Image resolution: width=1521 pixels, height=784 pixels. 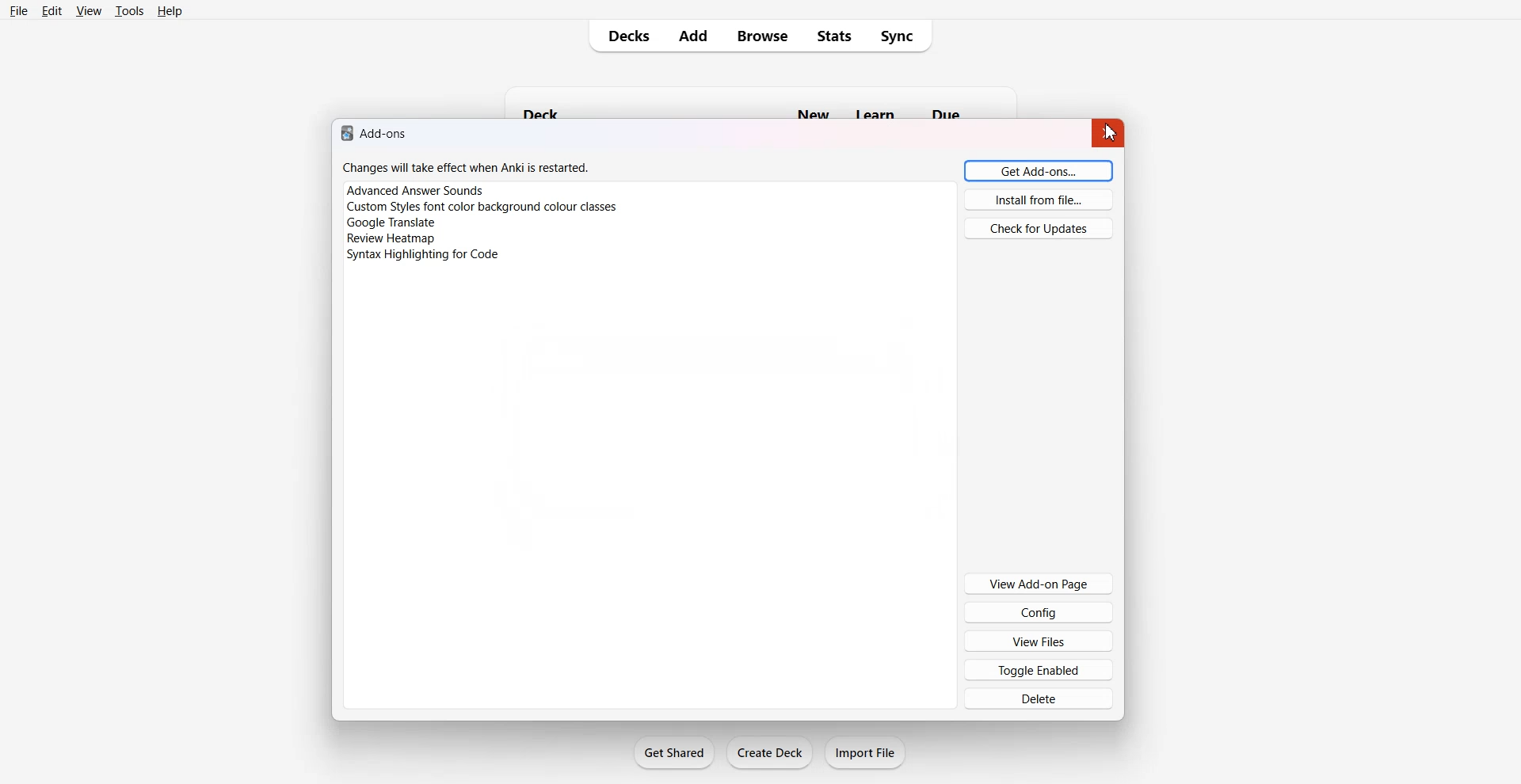 I want to click on custom styles font color background colour classes, so click(x=483, y=207).